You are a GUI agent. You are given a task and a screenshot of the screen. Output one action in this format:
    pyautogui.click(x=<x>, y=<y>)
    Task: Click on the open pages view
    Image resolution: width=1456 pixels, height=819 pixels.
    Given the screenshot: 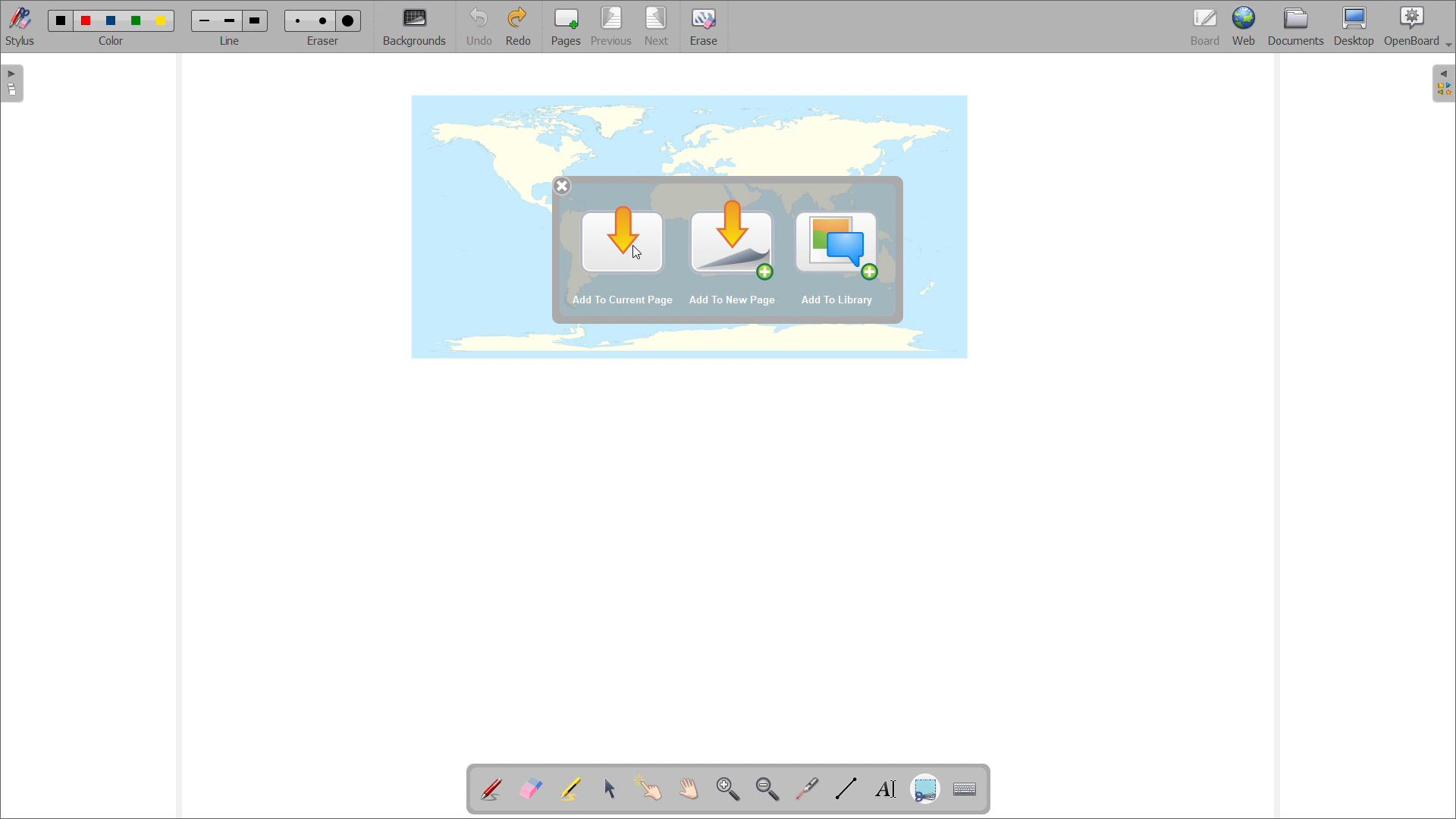 What is the action you would take?
    pyautogui.click(x=12, y=83)
    